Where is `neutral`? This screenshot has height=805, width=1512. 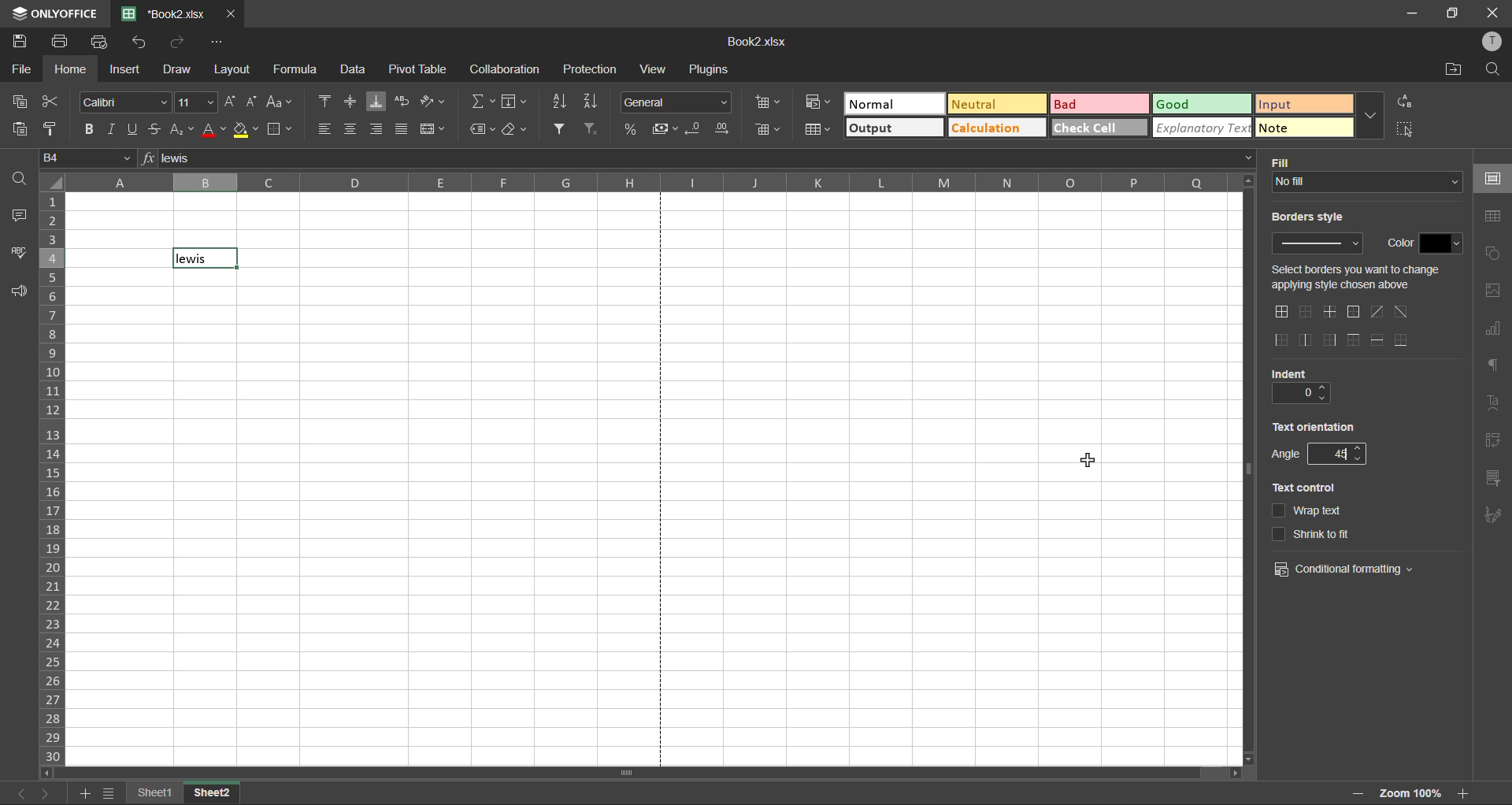 neutral is located at coordinates (995, 103).